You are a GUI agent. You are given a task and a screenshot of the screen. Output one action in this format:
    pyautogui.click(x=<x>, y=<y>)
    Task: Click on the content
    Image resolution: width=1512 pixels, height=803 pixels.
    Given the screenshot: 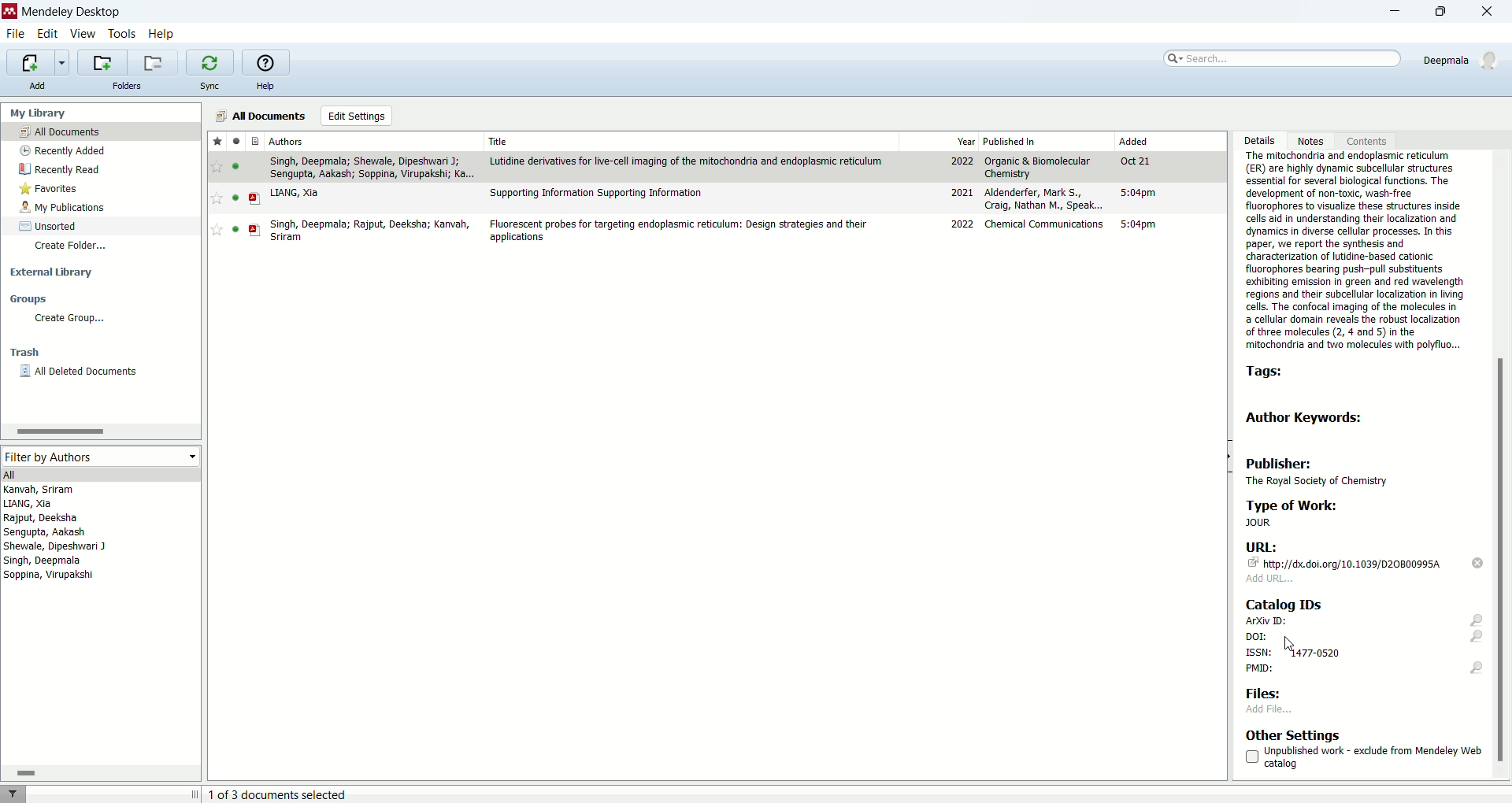 What is the action you would take?
    pyautogui.click(x=1364, y=140)
    